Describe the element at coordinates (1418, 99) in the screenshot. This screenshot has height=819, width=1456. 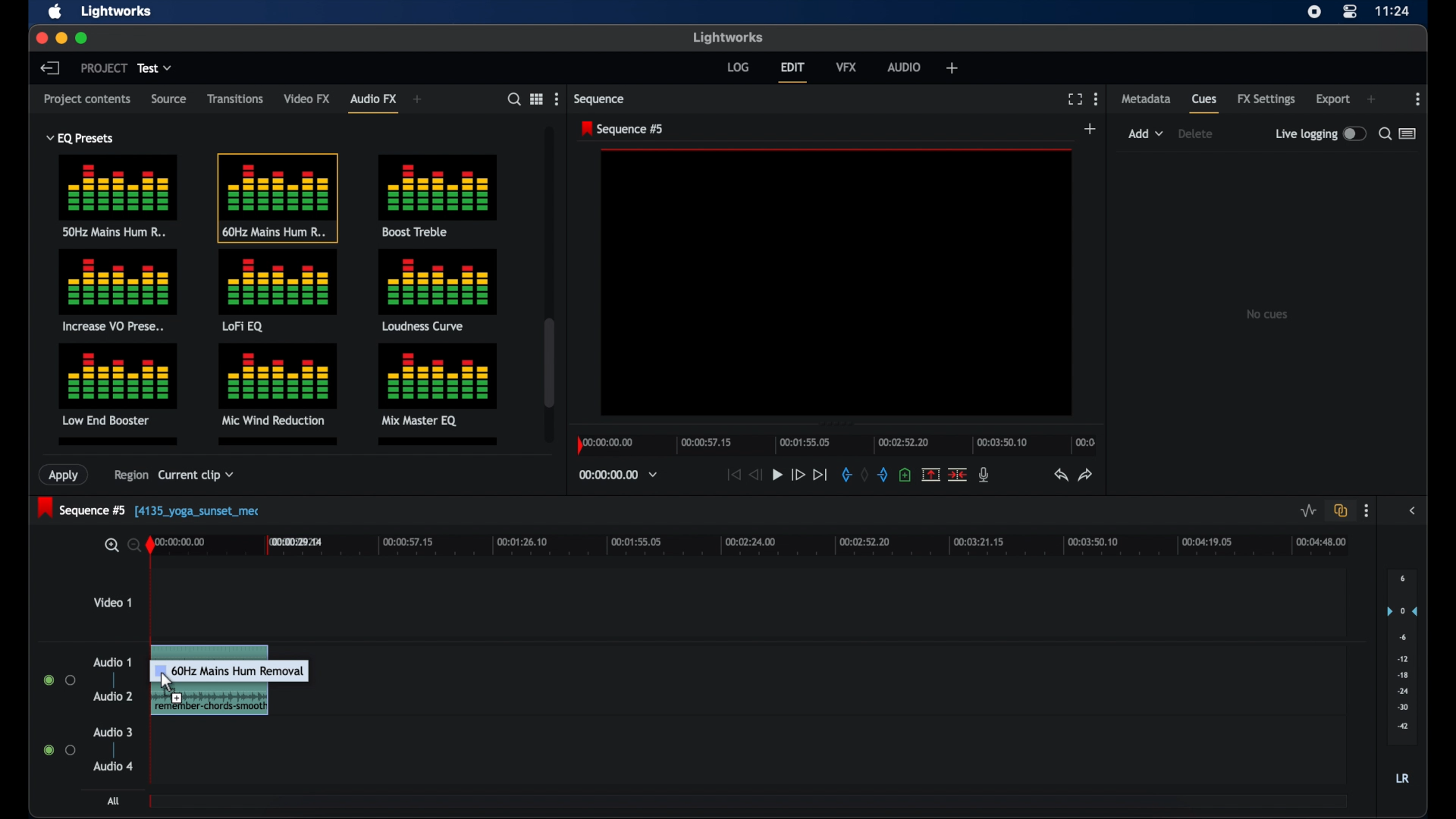
I see `more options` at that location.